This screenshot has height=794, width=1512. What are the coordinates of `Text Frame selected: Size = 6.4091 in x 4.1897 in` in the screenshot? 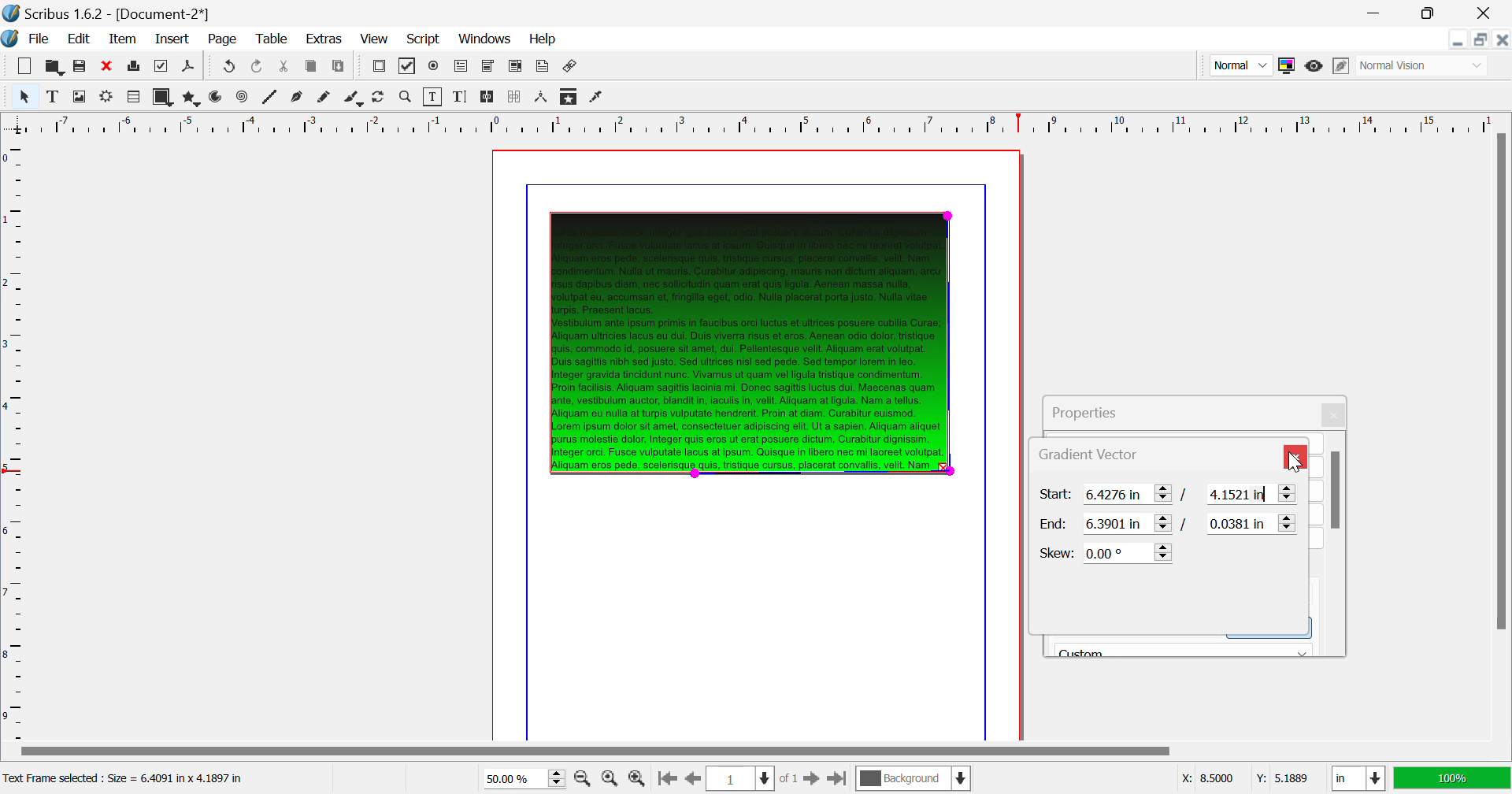 It's located at (127, 779).